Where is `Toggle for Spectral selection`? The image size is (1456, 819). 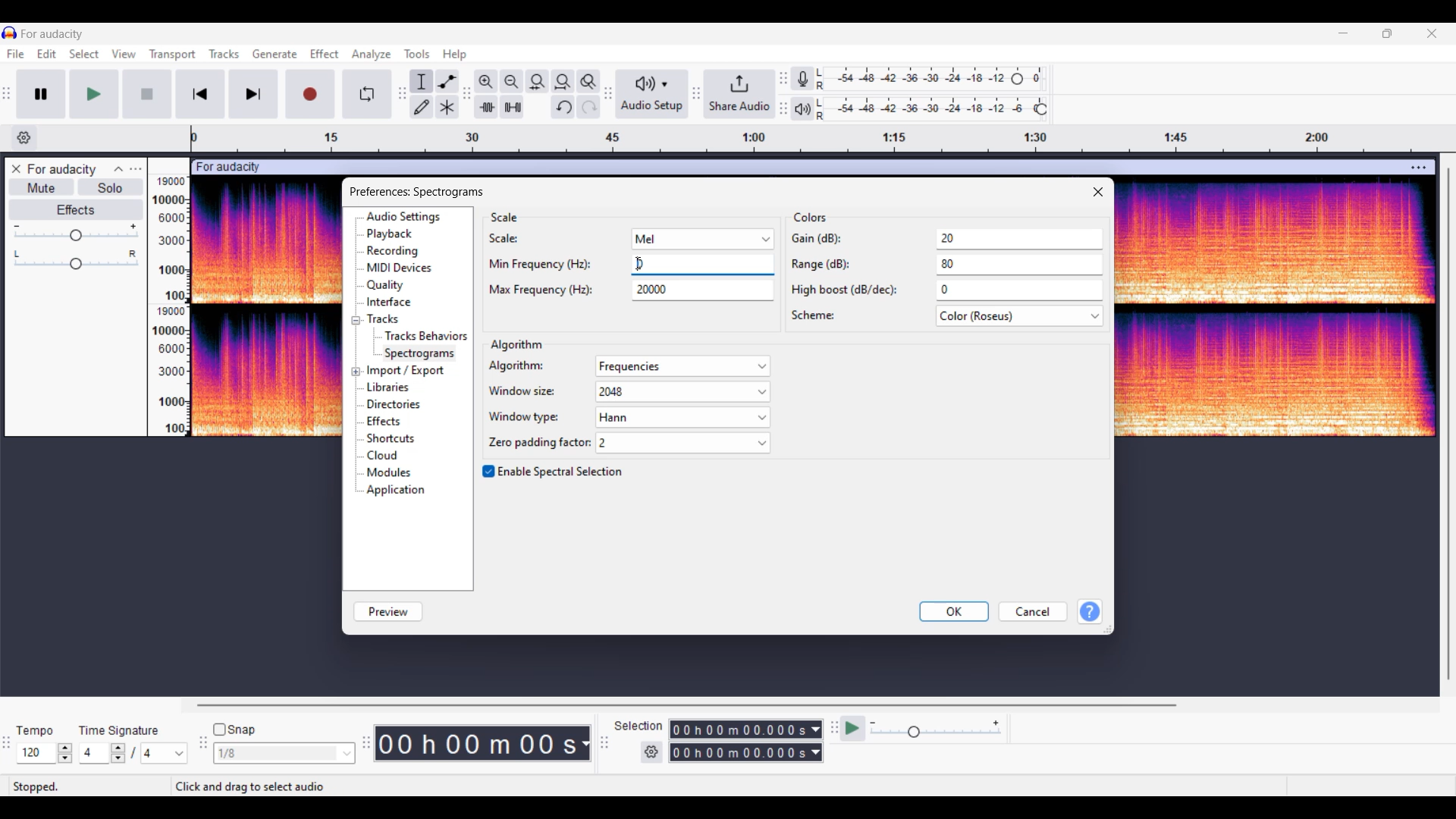
Toggle for Spectral selection is located at coordinates (554, 472).